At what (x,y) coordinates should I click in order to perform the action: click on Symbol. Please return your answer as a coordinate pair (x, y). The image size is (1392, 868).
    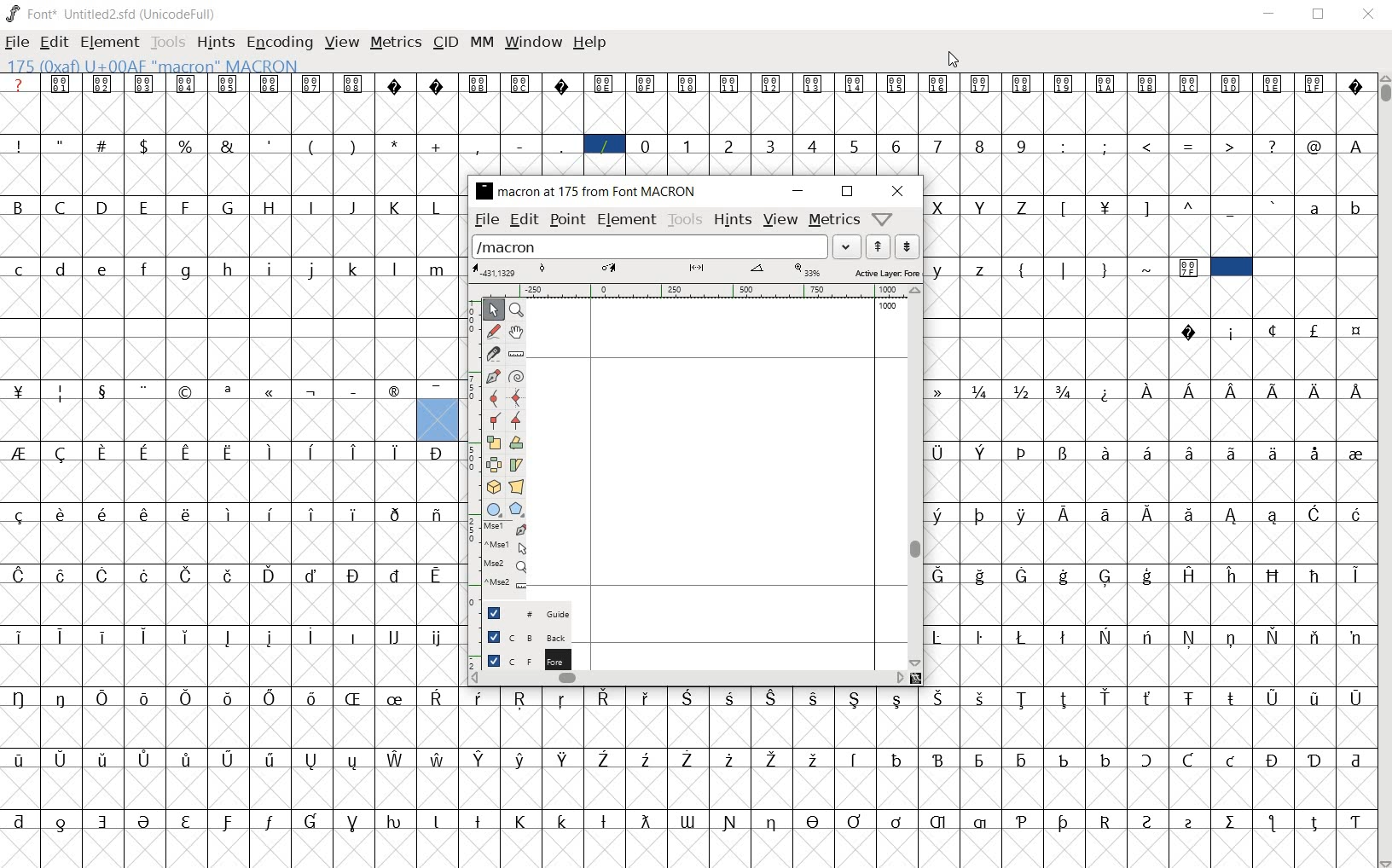
    Looking at the image, I should click on (395, 451).